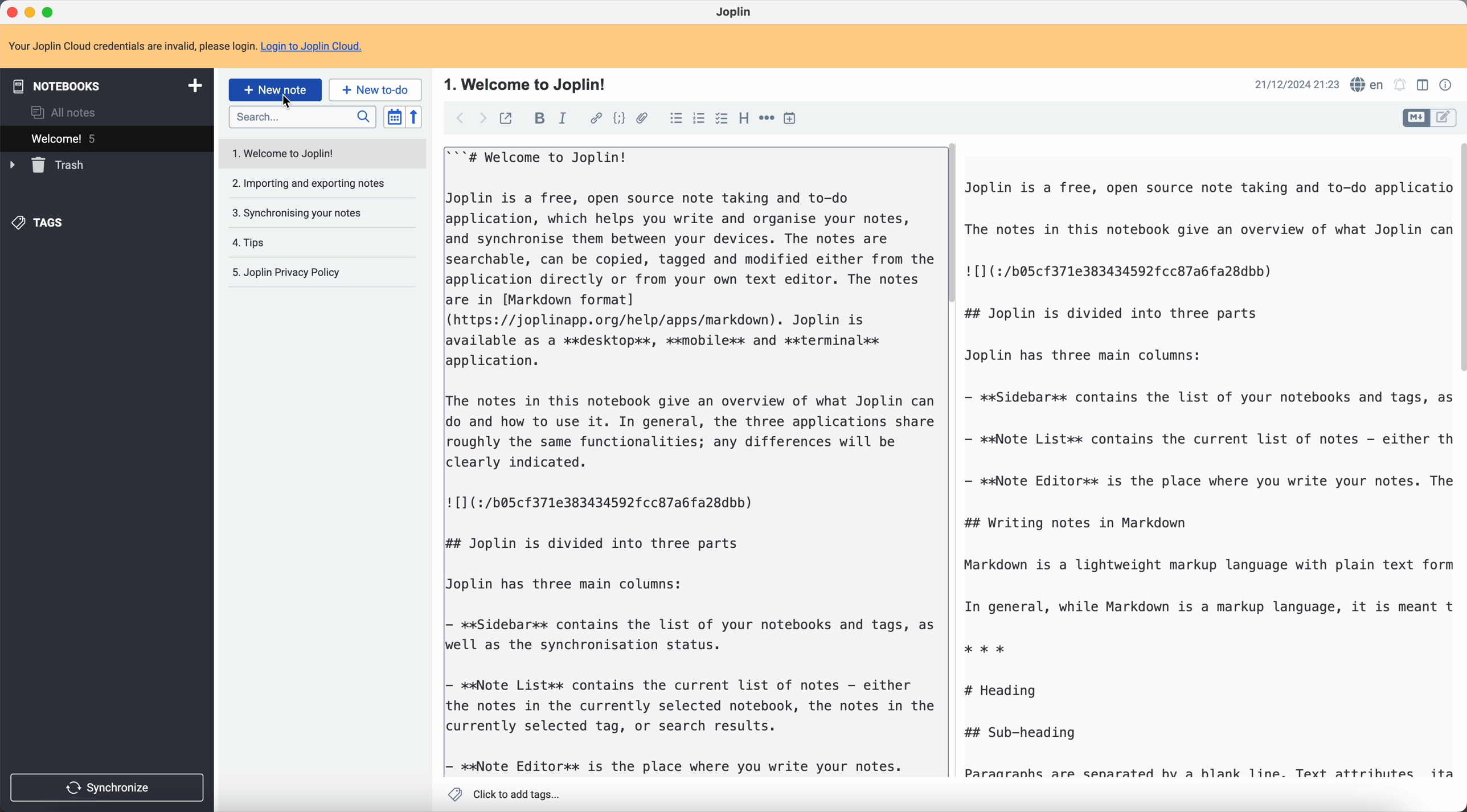 This screenshot has width=1467, height=812. I want to click on new to-do, so click(375, 89).